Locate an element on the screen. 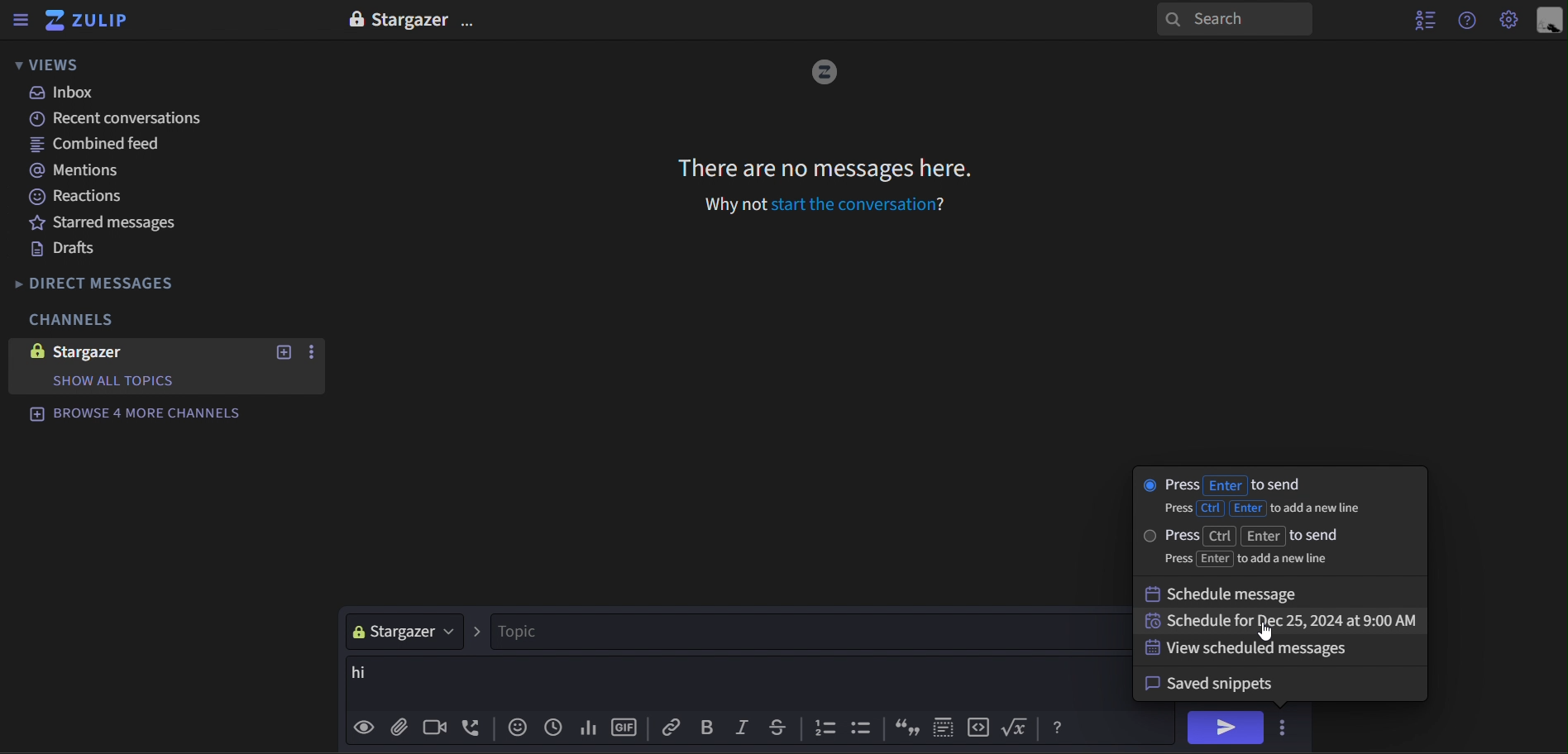 The image size is (1568, 754). Settings is located at coordinates (1508, 21).